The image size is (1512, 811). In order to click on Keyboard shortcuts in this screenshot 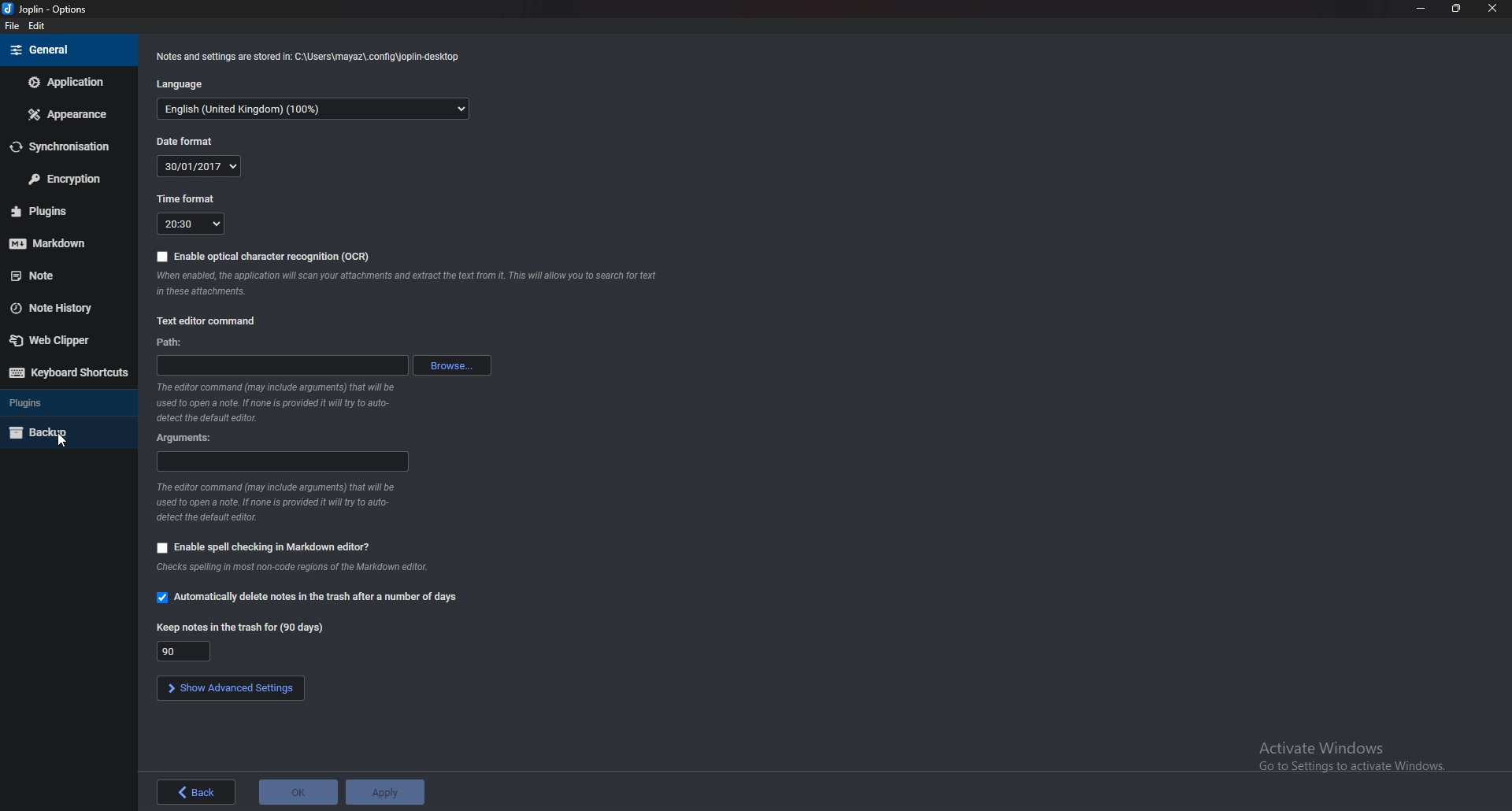, I will do `click(69, 372)`.